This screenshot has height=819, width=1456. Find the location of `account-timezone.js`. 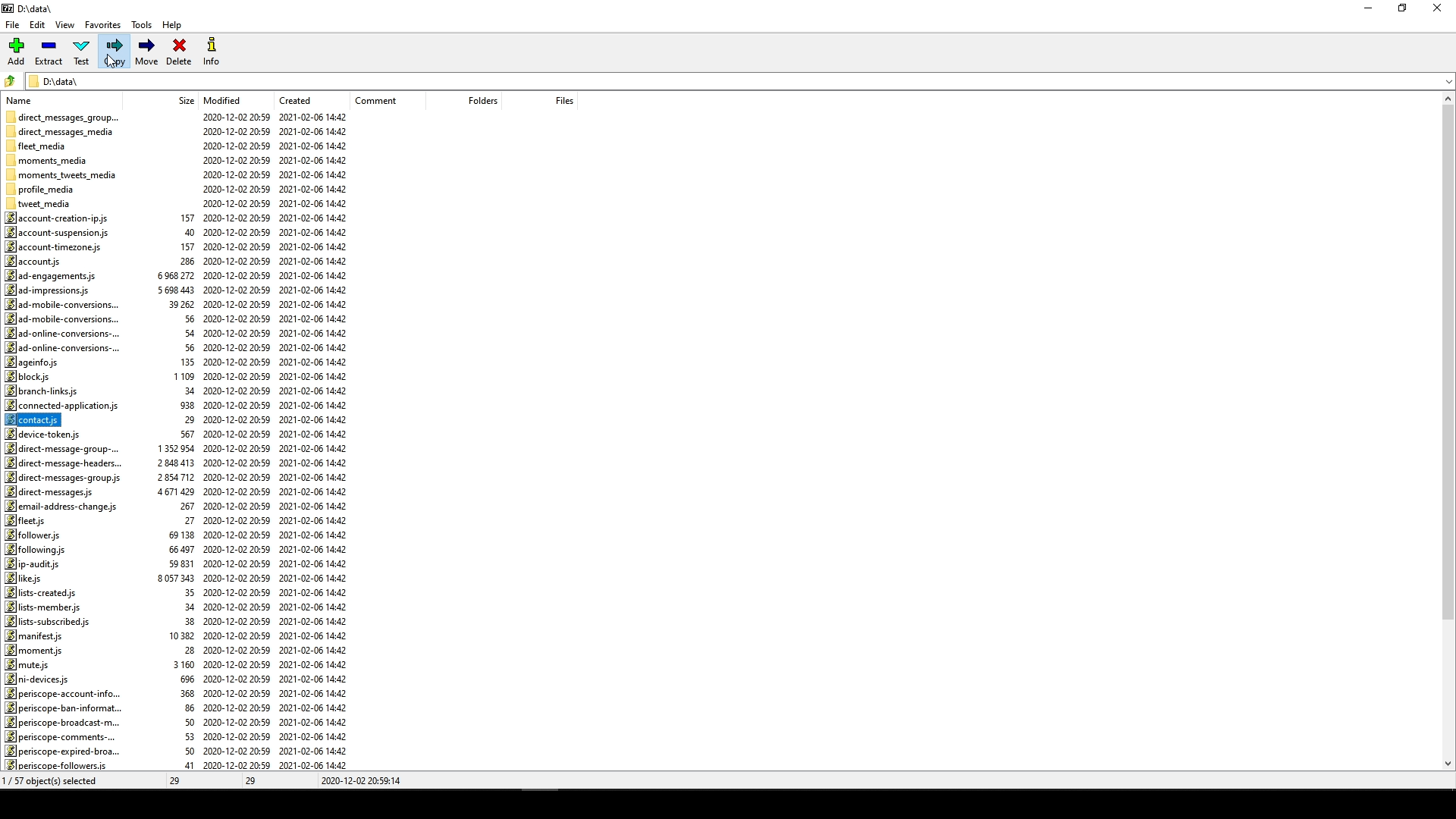

account-timezone.js is located at coordinates (54, 246).